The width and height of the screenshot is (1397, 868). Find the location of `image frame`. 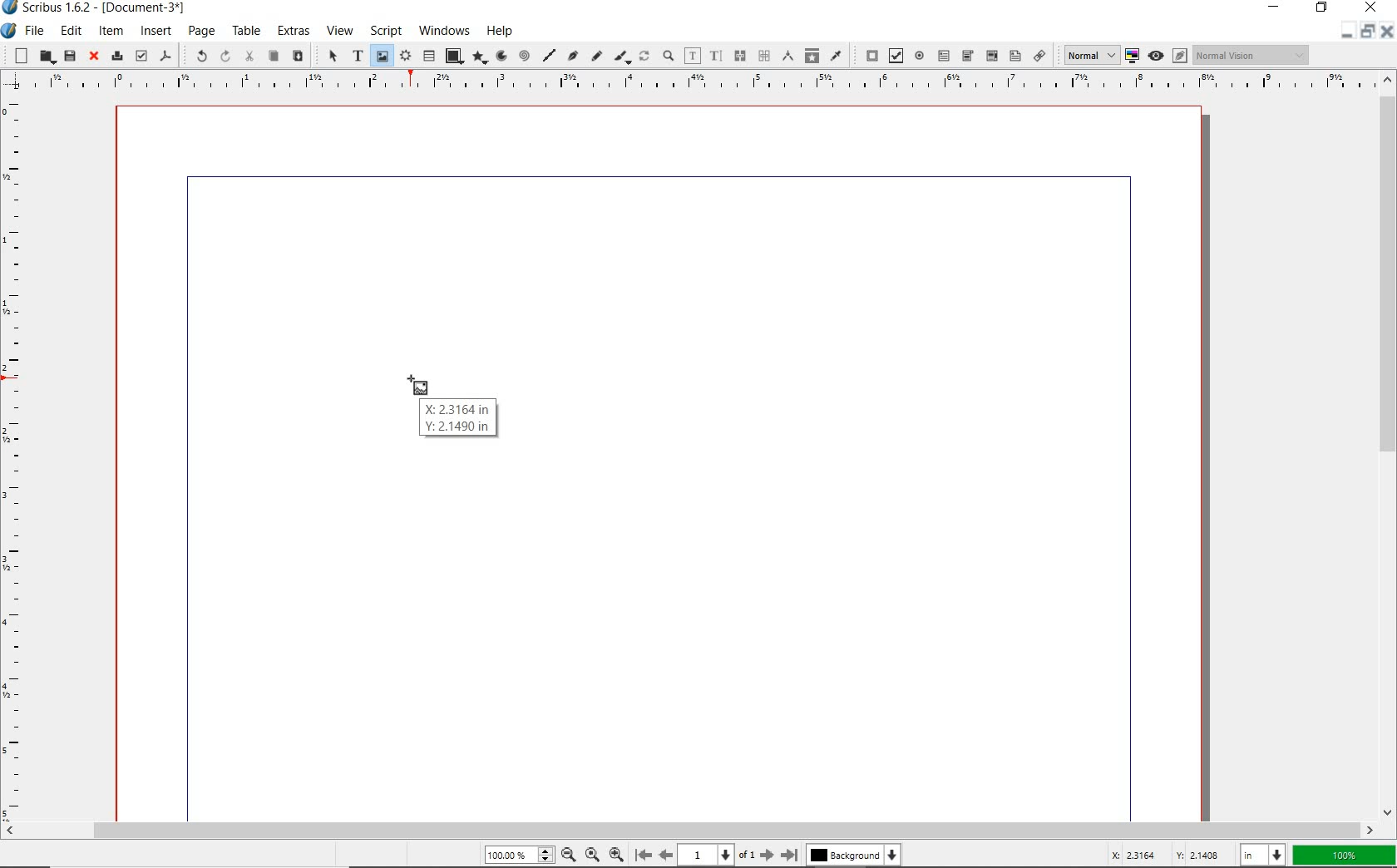

image frame is located at coordinates (381, 57).